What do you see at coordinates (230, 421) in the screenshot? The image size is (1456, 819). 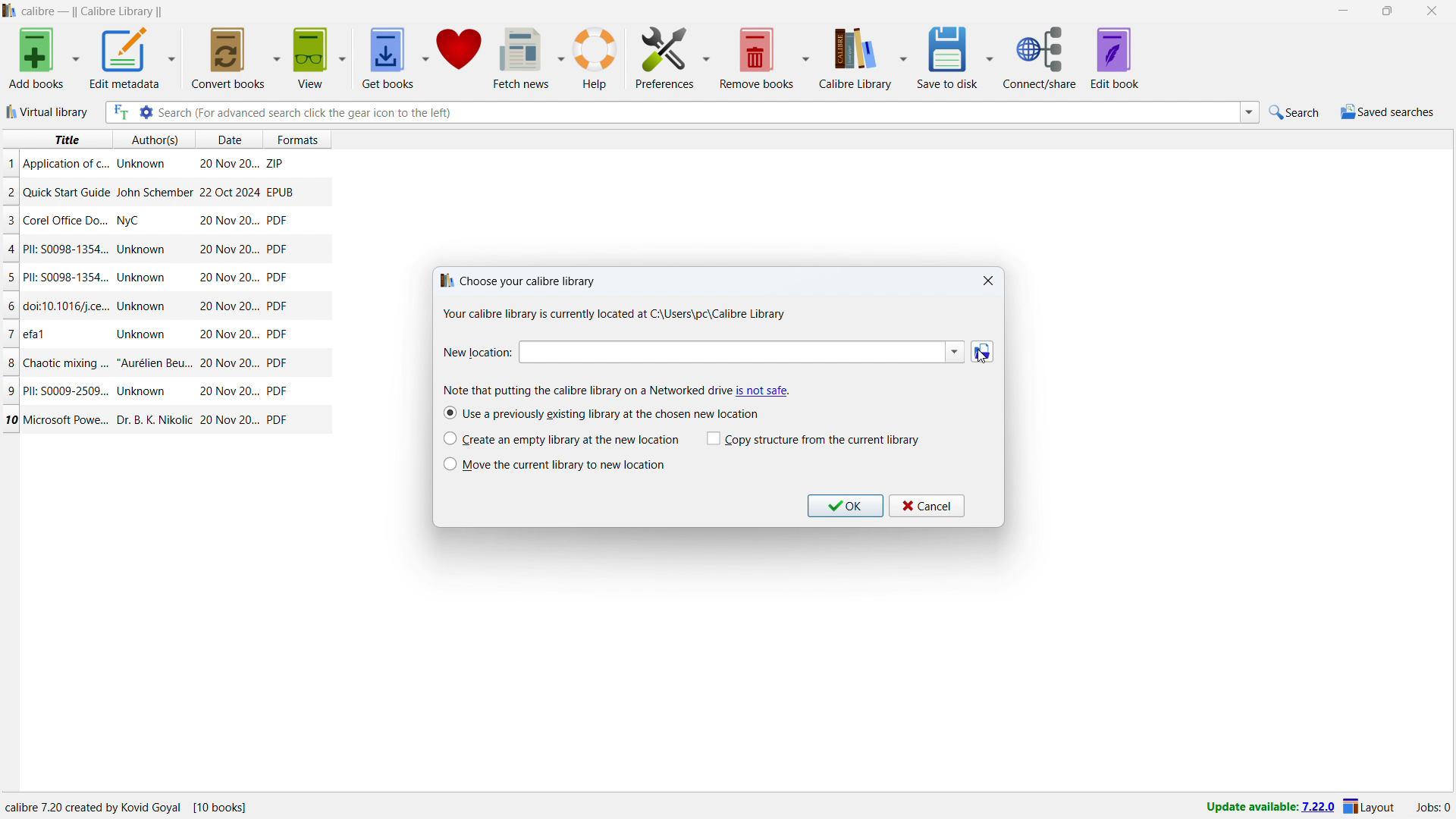 I see `Date` at bounding box center [230, 421].